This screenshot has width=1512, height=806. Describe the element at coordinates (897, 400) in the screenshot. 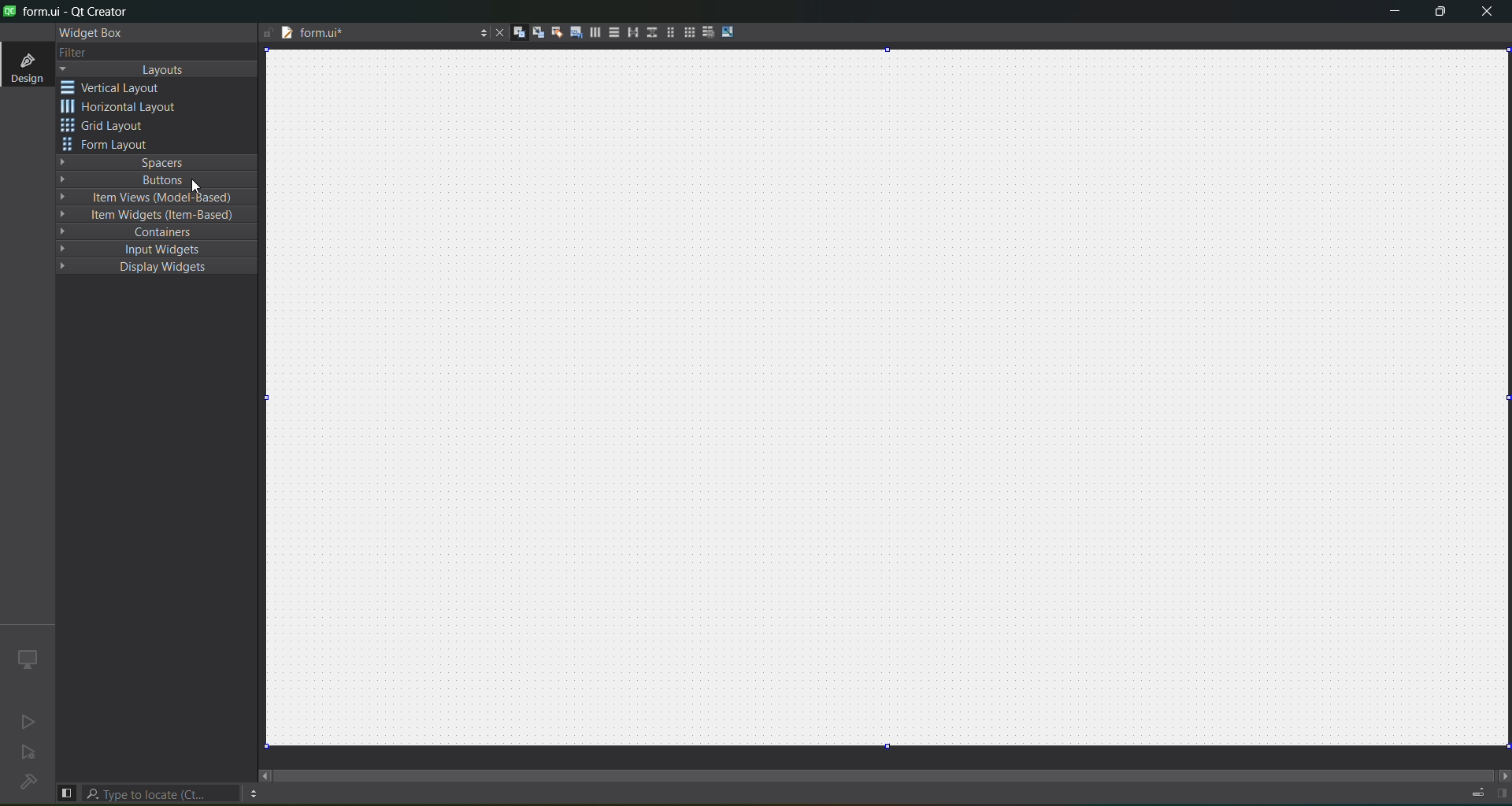

I see `canvas` at that location.